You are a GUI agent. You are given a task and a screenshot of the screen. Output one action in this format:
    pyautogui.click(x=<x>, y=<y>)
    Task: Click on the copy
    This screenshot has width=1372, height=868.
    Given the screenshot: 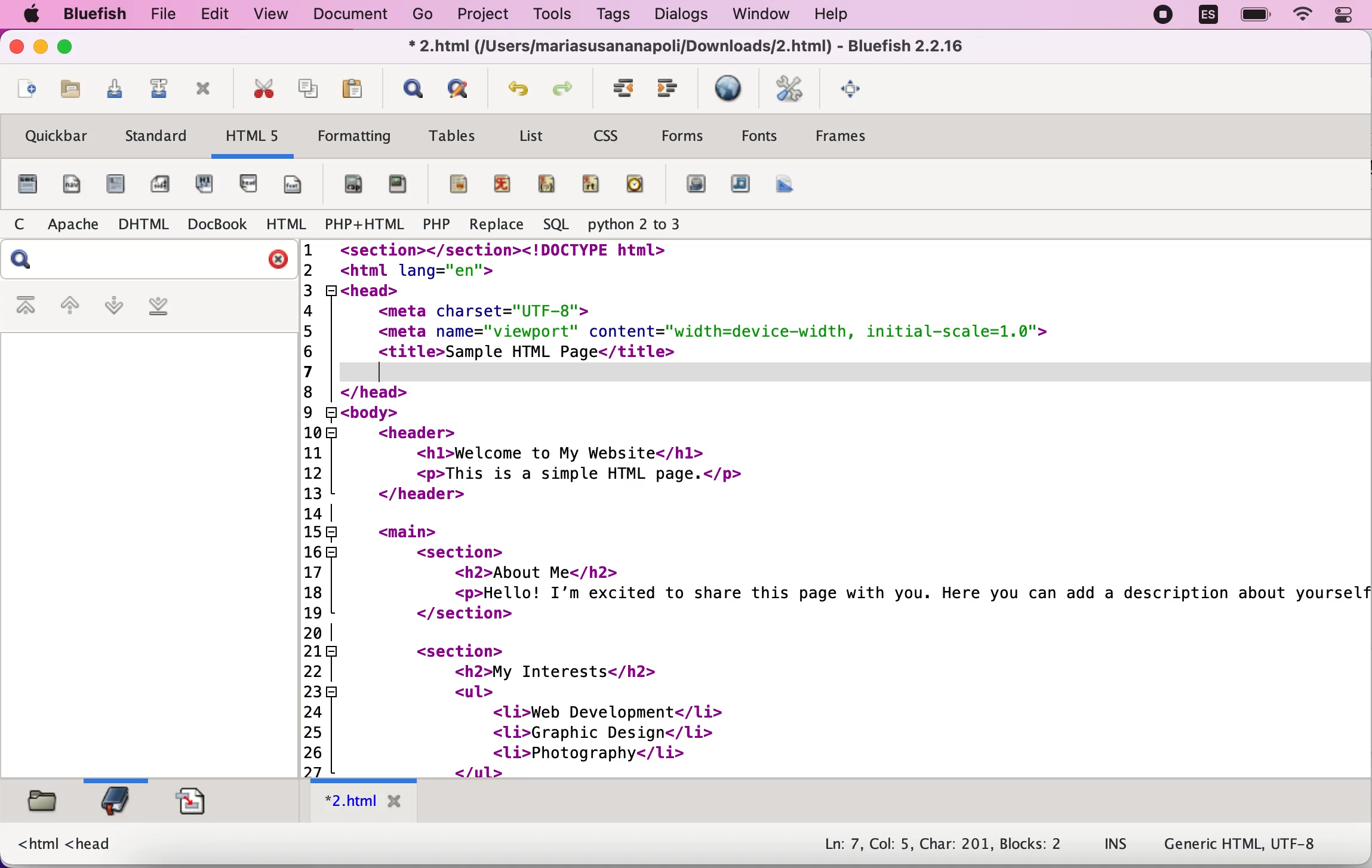 What is the action you would take?
    pyautogui.click(x=309, y=90)
    